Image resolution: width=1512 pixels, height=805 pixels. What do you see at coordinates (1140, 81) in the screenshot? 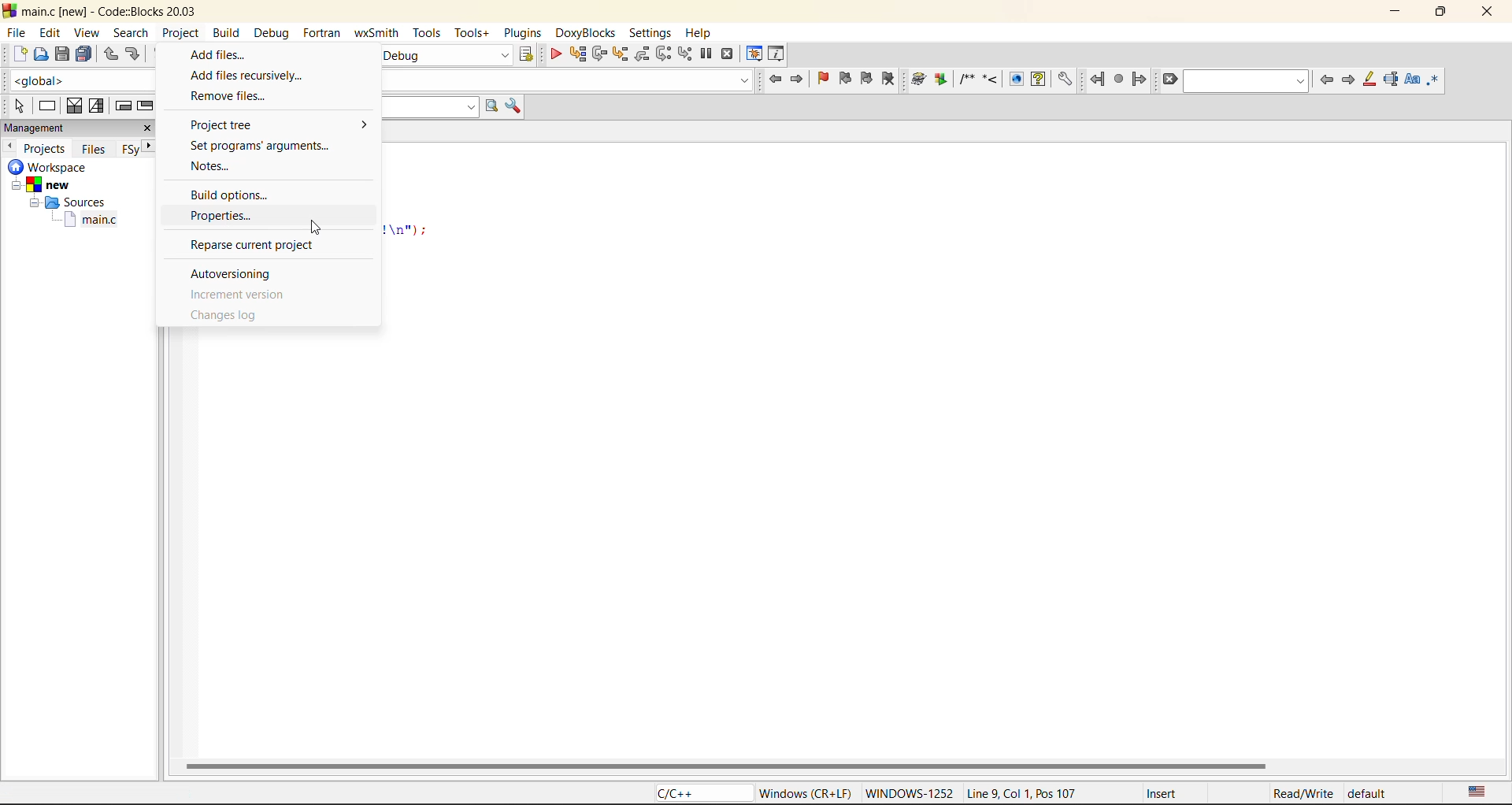
I see `jump forward` at bounding box center [1140, 81].